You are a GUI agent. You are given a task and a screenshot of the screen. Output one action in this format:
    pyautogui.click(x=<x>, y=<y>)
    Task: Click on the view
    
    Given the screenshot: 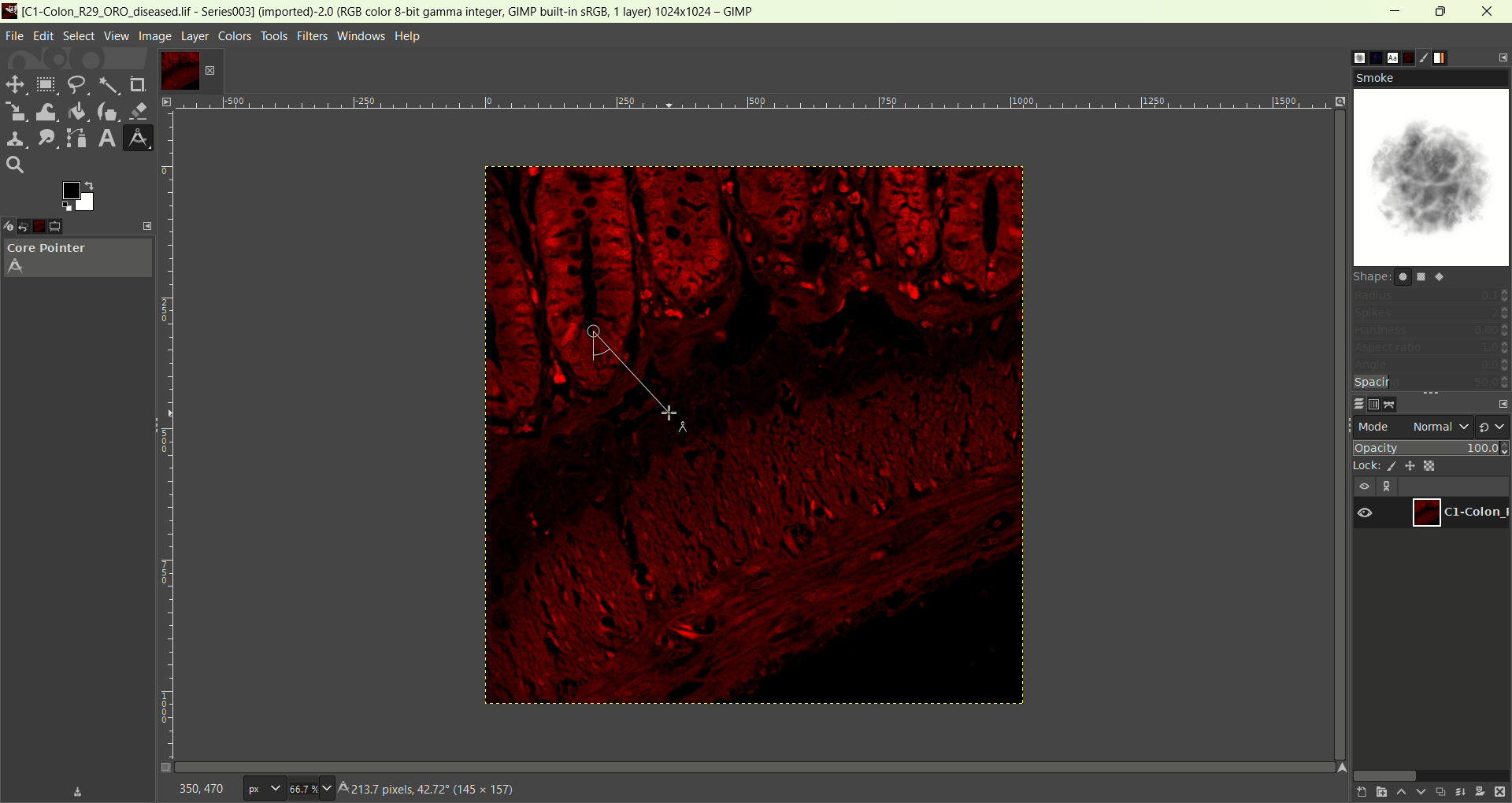 What is the action you would take?
    pyautogui.click(x=116, y=35)
    